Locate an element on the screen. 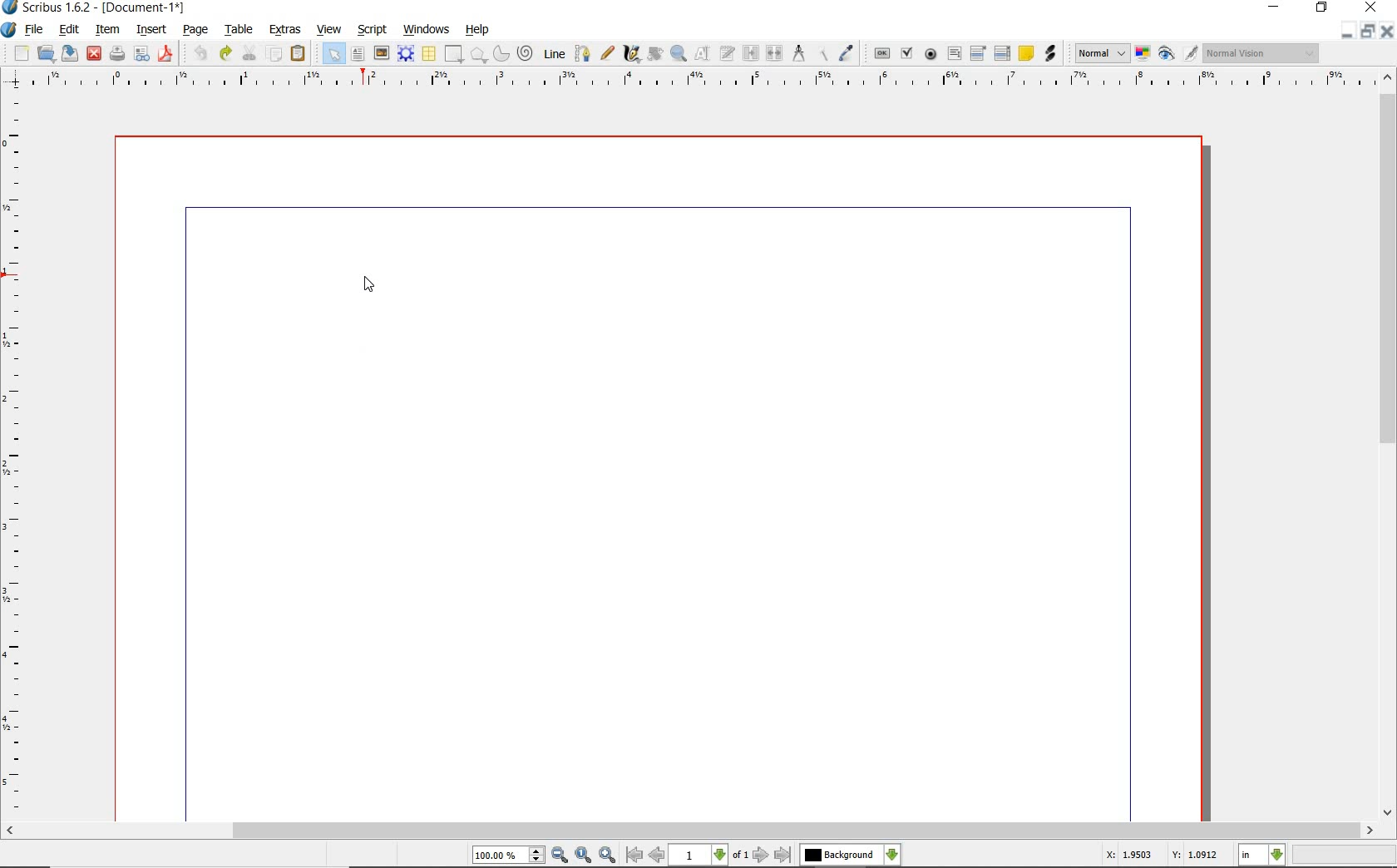 The width and height of the screenshot is (1397, 868). spiral is located at coordinates (526, 54).